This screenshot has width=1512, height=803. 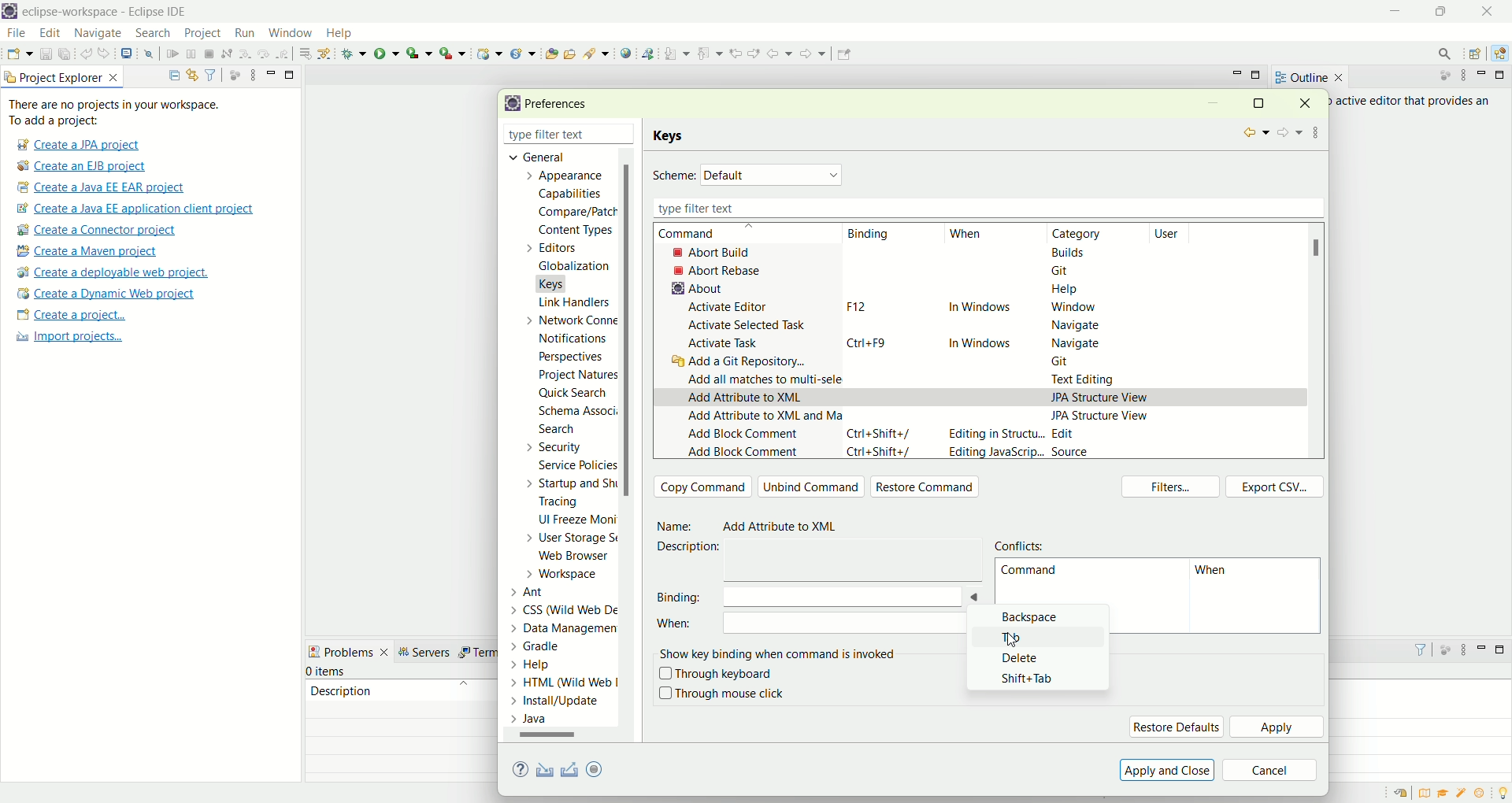 What do you see at coordinates (454, 53) in the screenshot?
I see `run last tool` at bounding box center [454, 53].